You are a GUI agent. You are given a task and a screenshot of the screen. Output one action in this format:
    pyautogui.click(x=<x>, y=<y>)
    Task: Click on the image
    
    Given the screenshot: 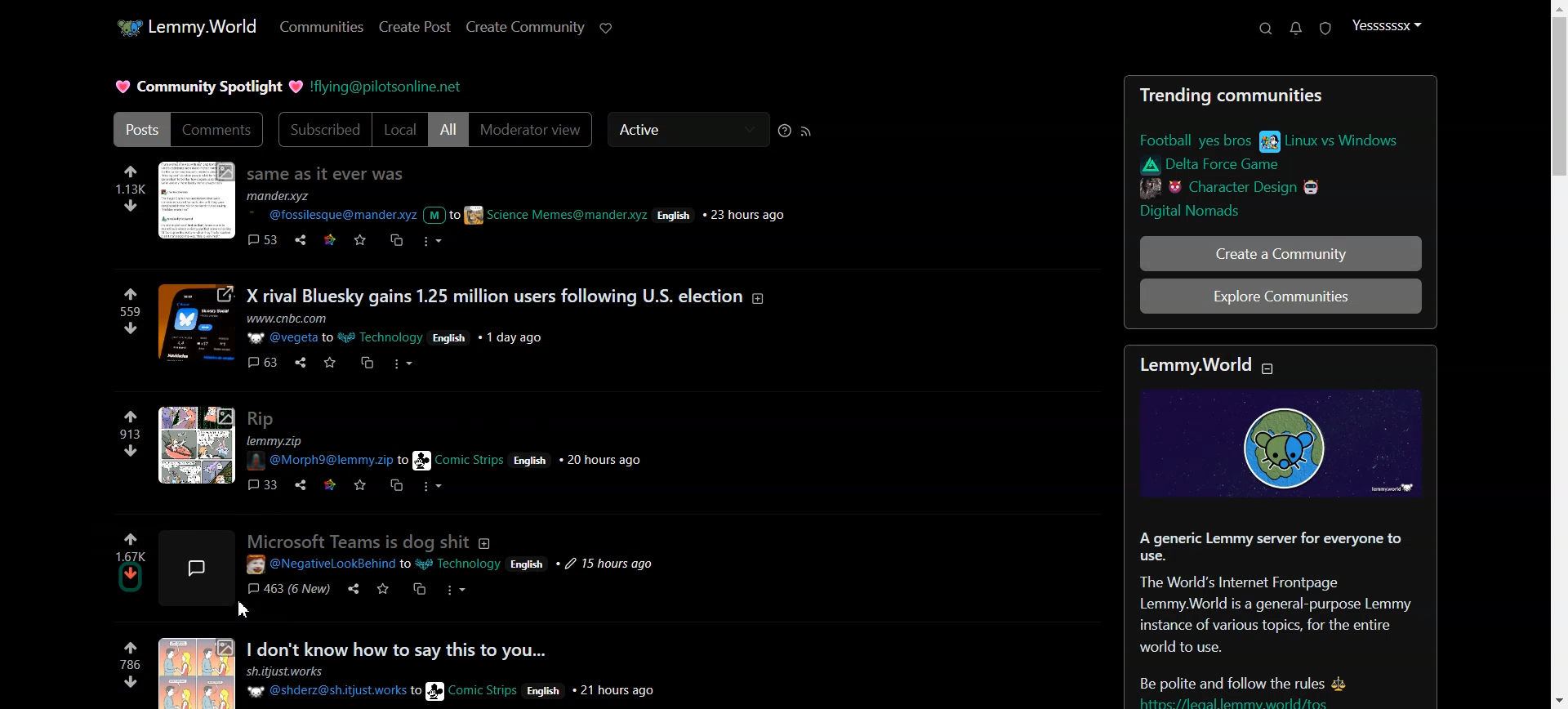 What is the action you would take?
    pyautogui.click(x=199, y=202)
    